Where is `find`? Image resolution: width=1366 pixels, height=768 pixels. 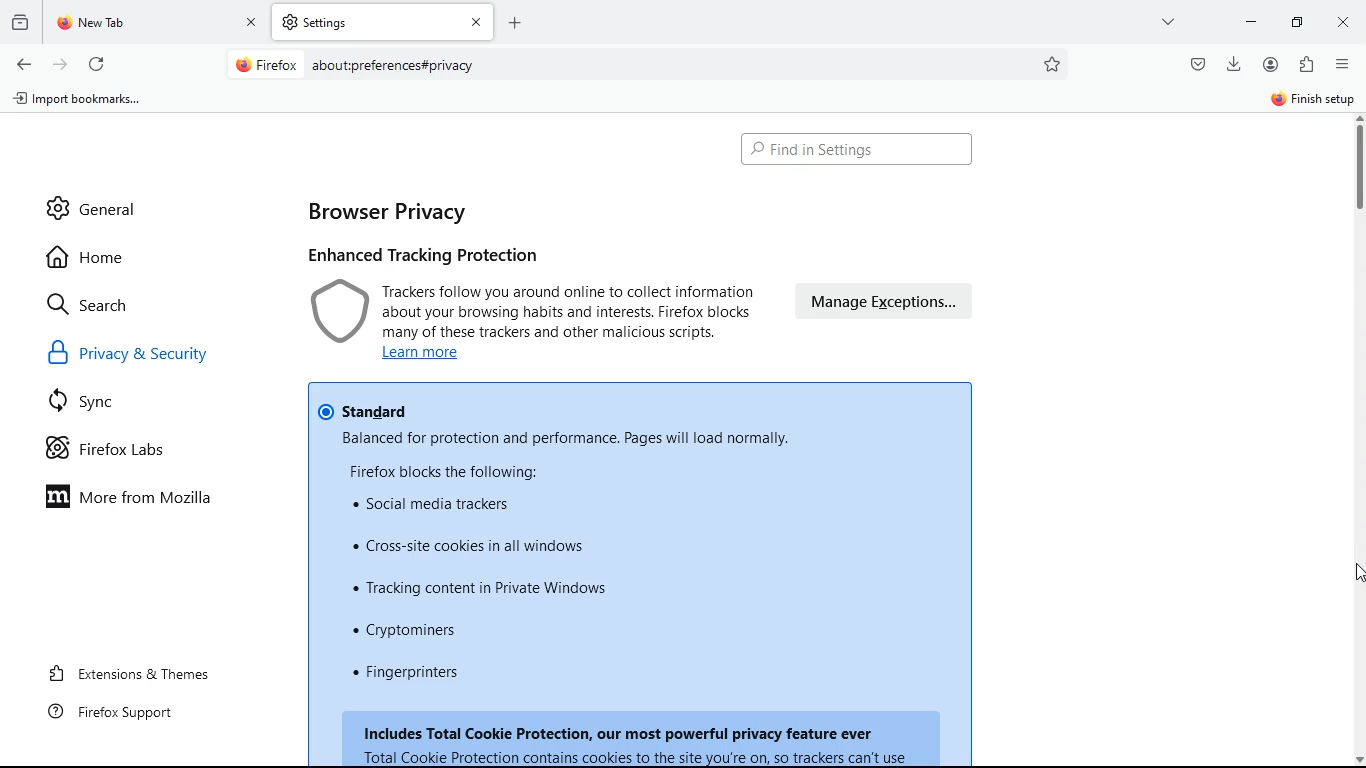
find is located at coordinates (856, 150).